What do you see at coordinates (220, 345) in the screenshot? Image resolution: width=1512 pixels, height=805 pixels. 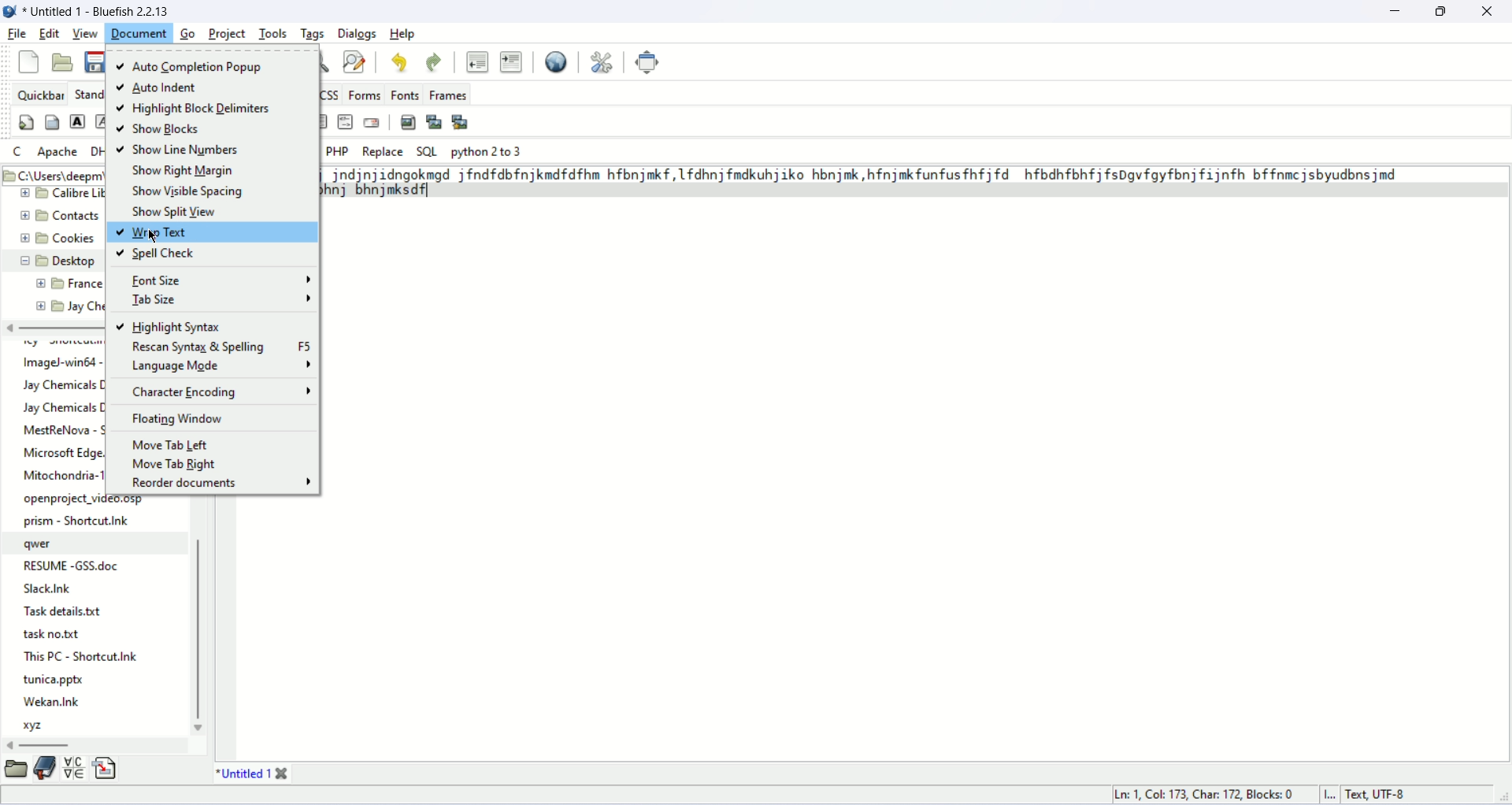 I see `rescan syntax & spelling` at bounding box center [220, 345].